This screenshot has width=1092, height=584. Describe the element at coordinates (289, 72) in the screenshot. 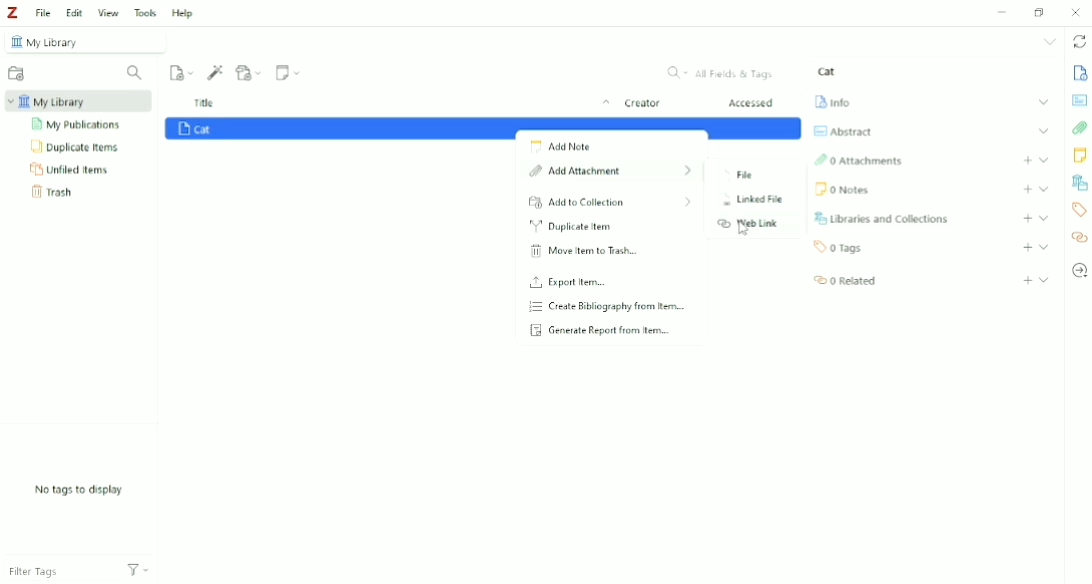

I see `New Note` at that location.